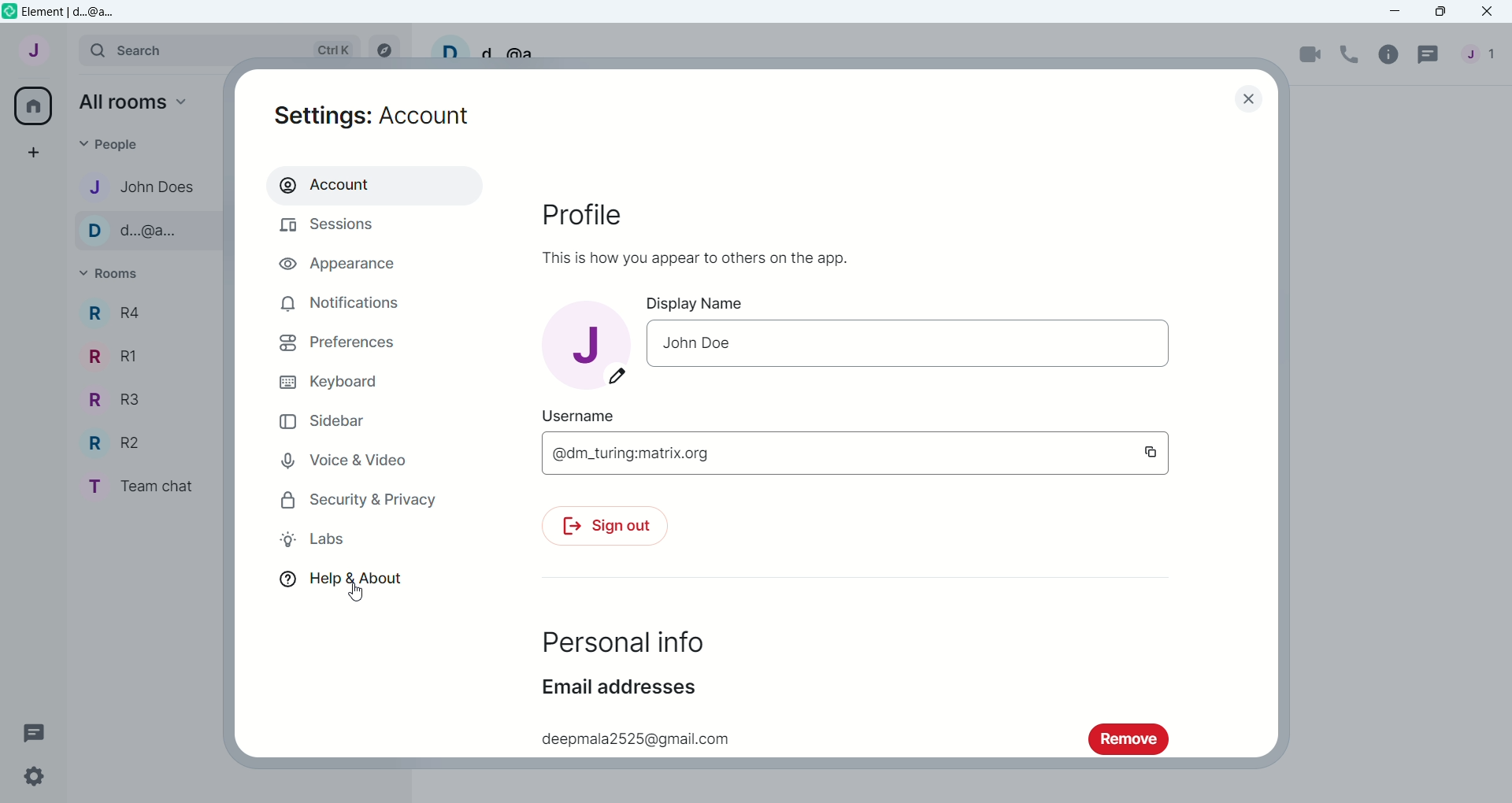  I want to click on Home options, so click(127, 102).